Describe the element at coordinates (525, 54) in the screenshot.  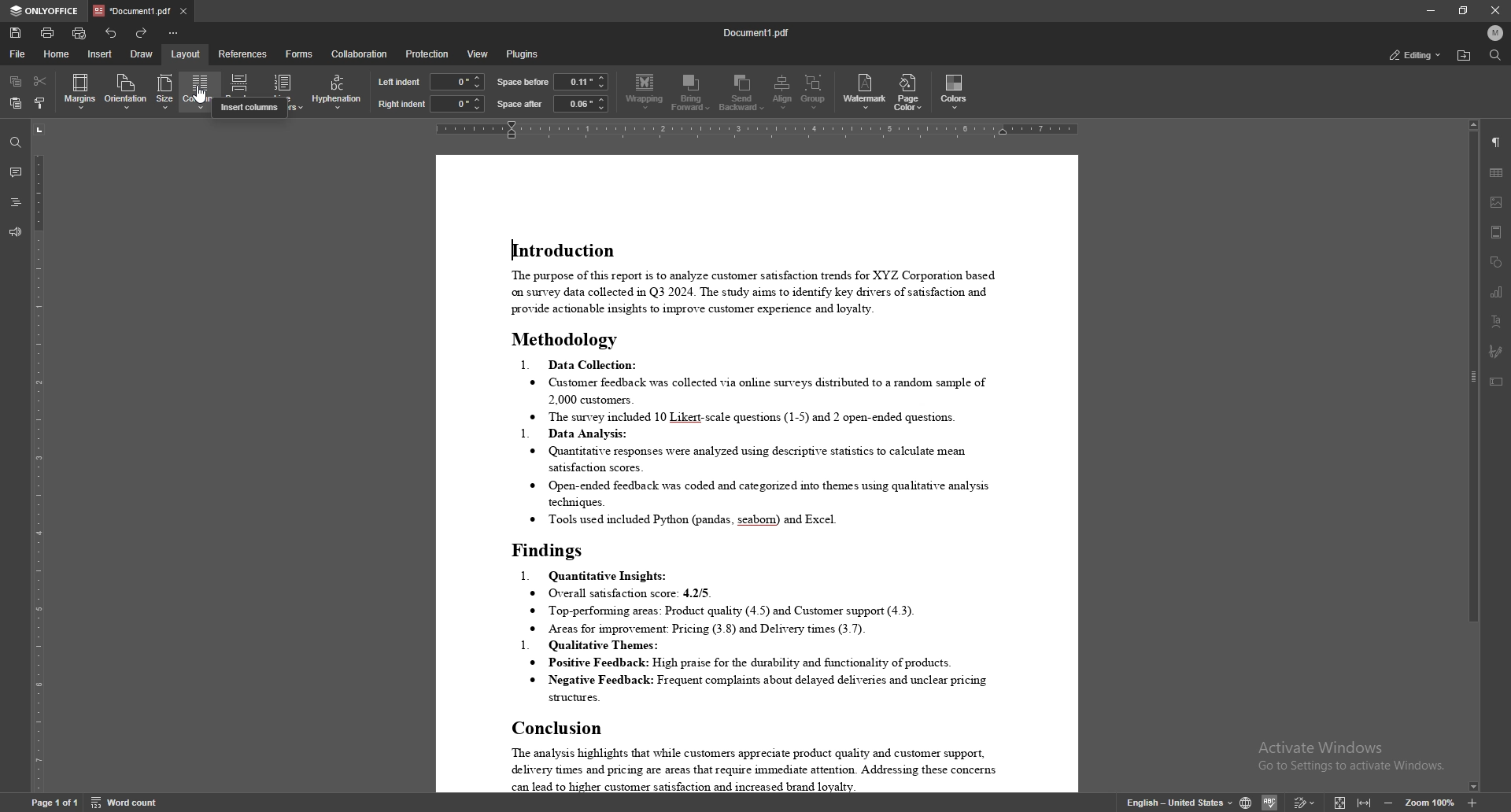
I see `plugins` at that location.